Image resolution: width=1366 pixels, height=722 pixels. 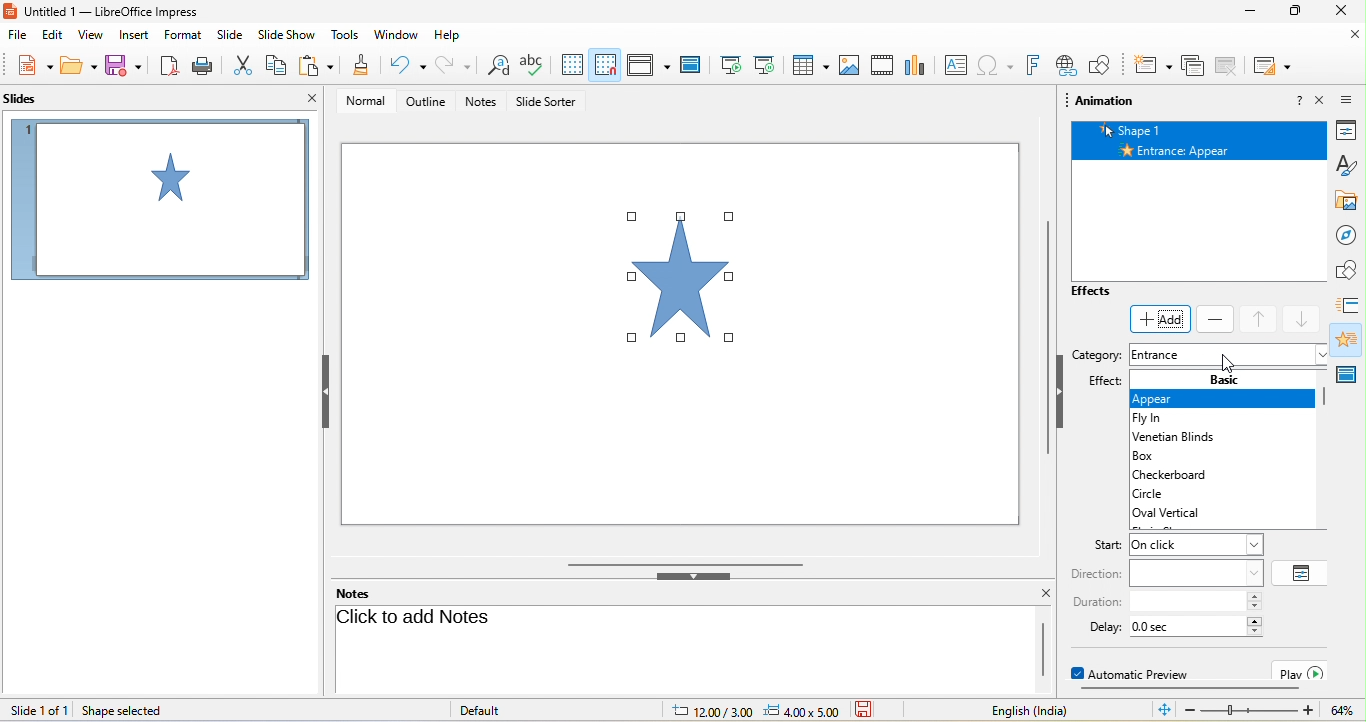 What do you see at coordinates (1255, 608) in the screenshot?
I see `decrease duration` at bounding box center [1255, 608].